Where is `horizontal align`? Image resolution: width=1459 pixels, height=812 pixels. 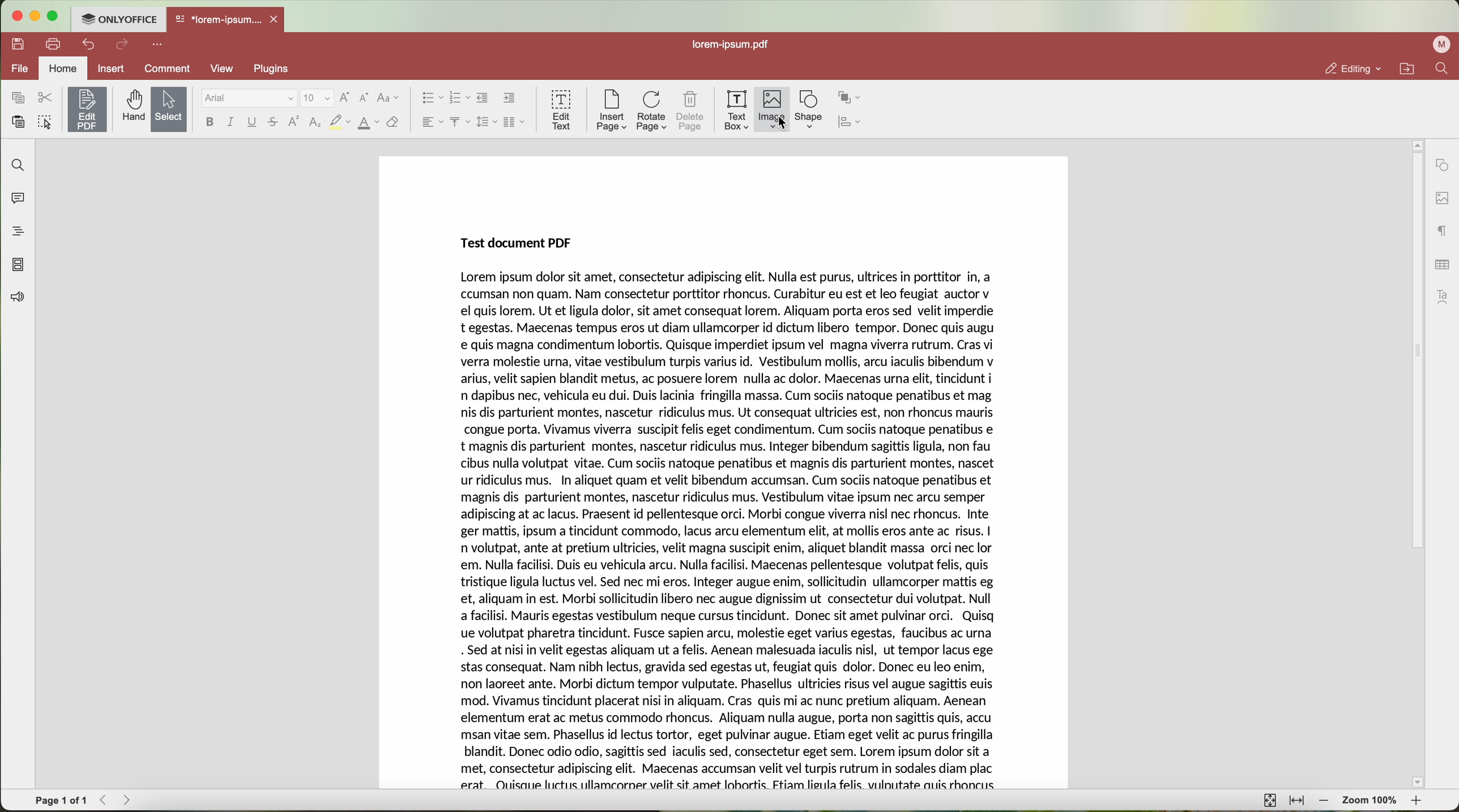 horizontal align is located at coordinates (431, 122).